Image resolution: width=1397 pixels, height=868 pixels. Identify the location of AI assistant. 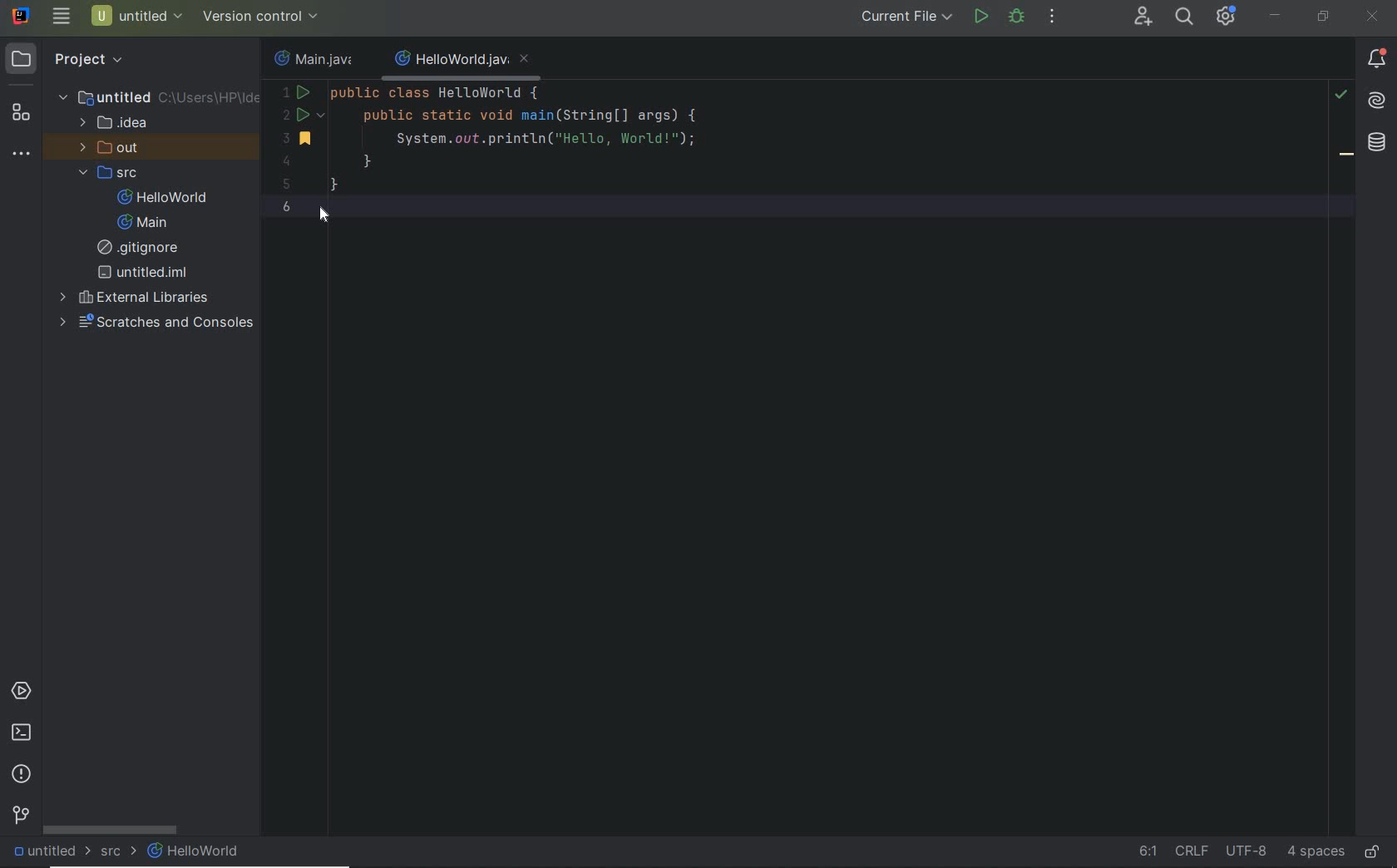
(1375, 101).